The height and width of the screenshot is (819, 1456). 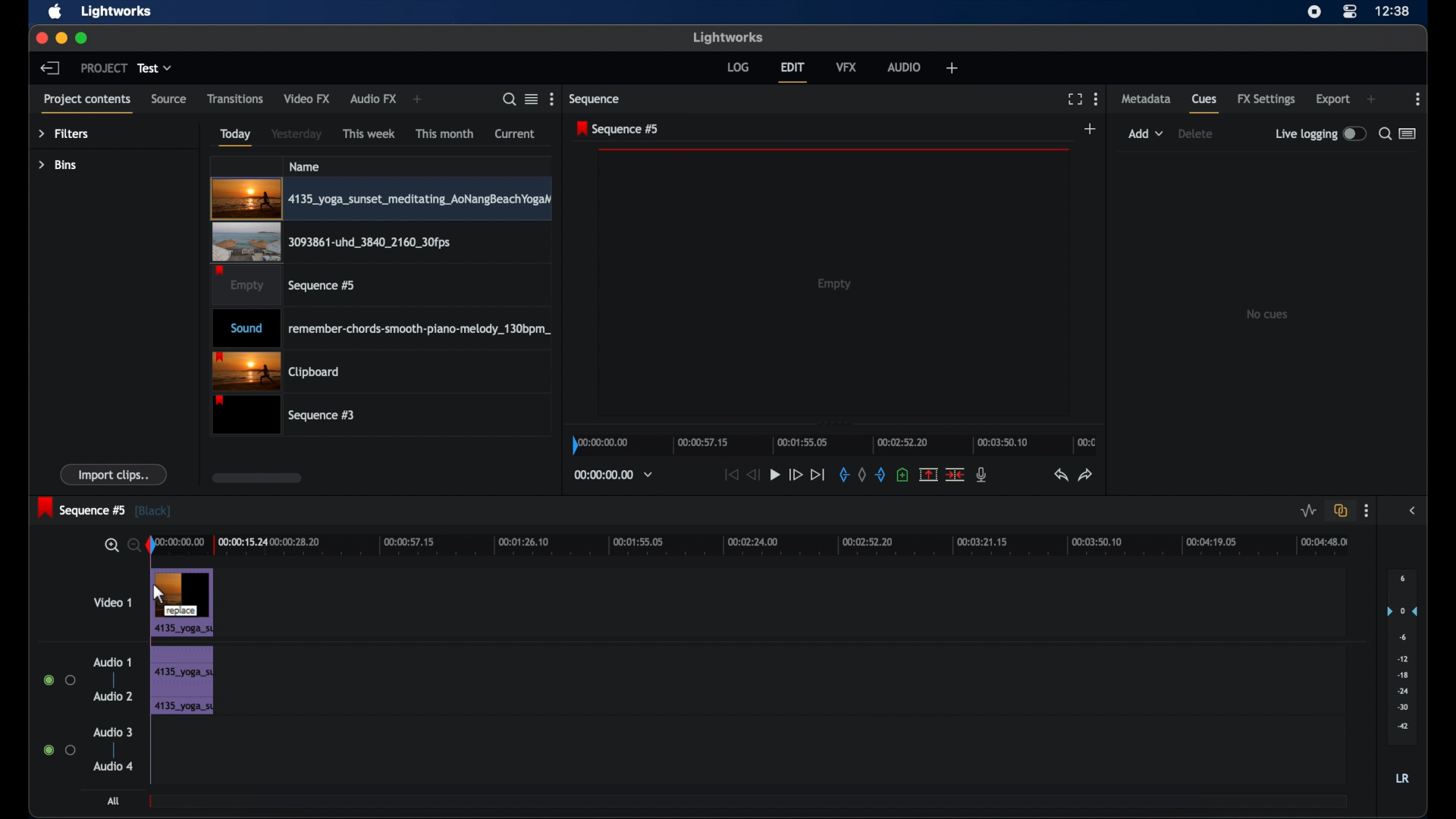 I want to click on time, so click(x=1394, y=11).